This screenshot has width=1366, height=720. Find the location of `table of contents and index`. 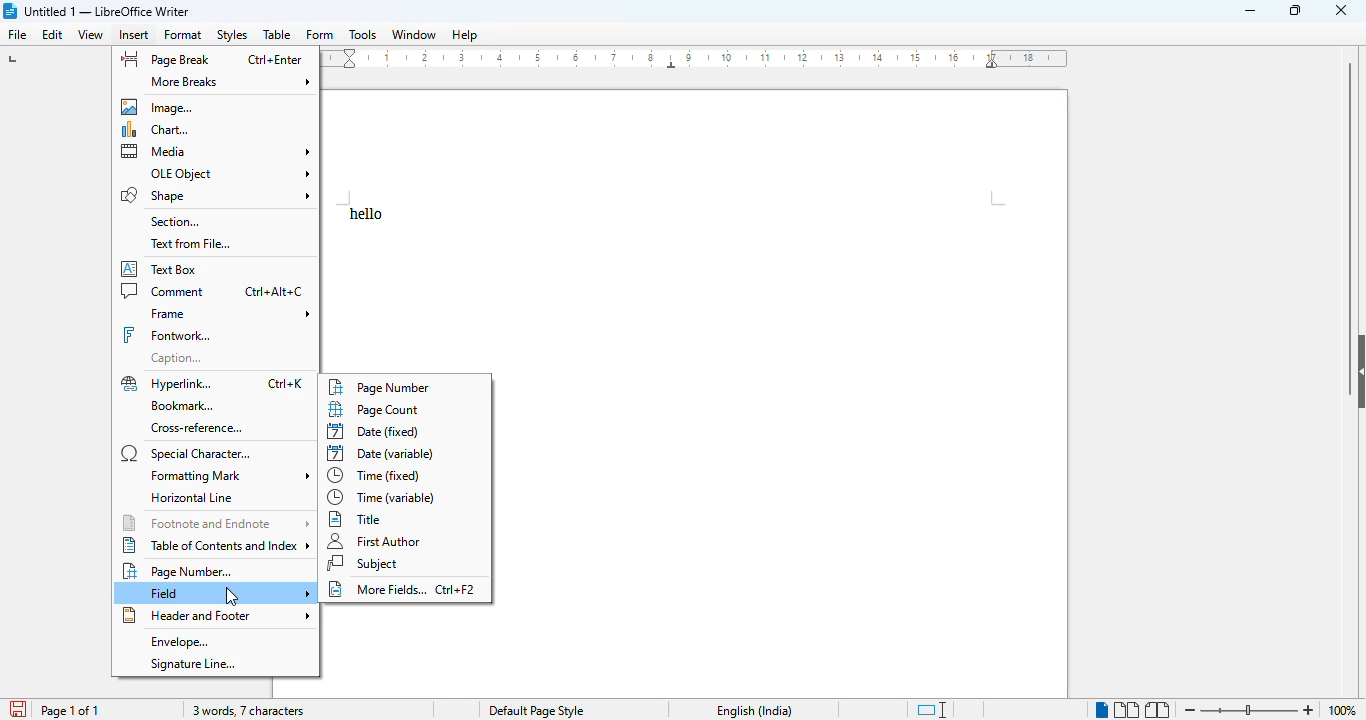

table of contents and index is located at coordinates (219, 545).